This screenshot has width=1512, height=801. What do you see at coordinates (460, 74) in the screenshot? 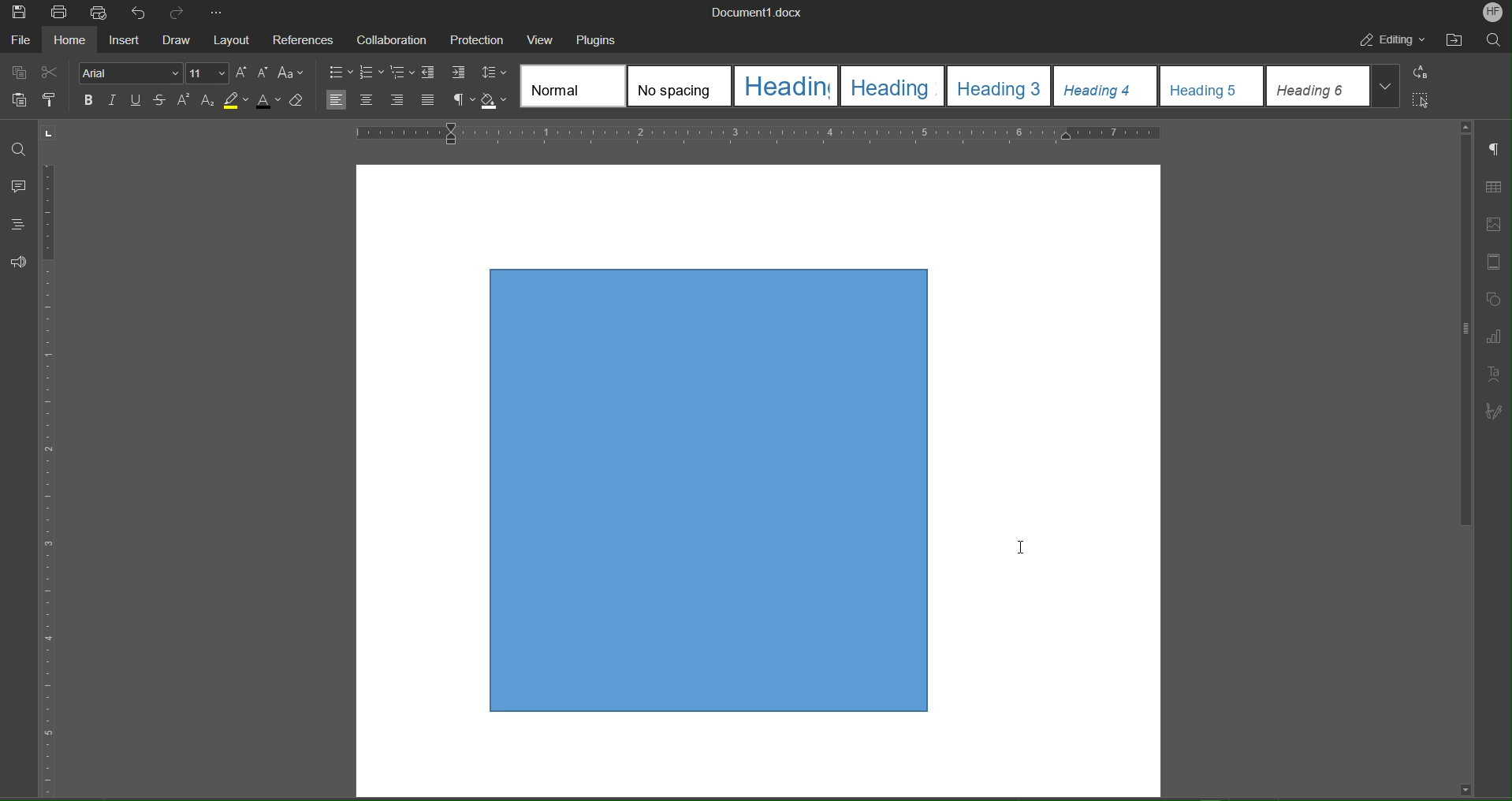
I see `Increase Indent` at bounding box center [460, 74].